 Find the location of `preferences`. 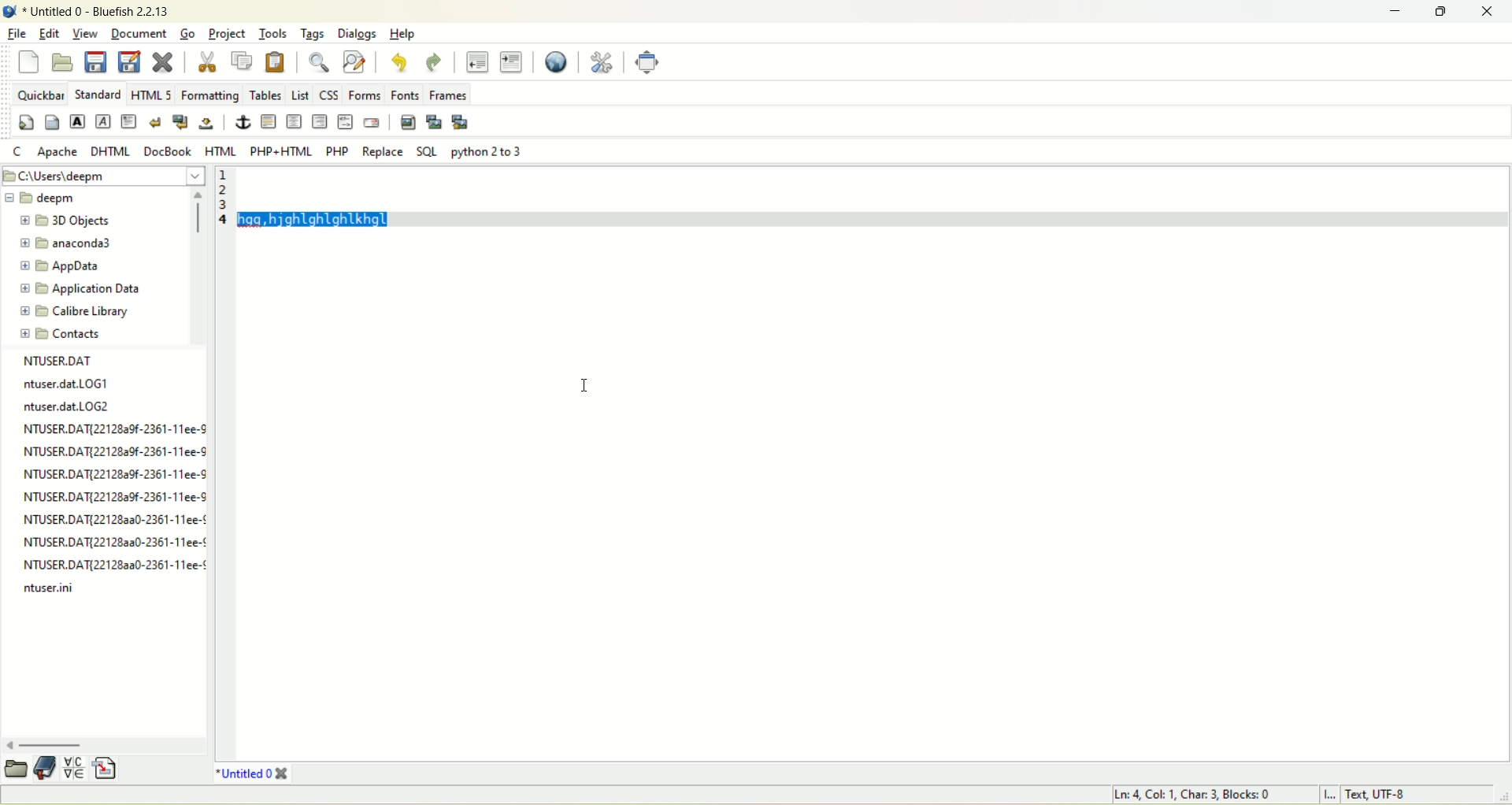

preferences is located at coordinates (603, 61).